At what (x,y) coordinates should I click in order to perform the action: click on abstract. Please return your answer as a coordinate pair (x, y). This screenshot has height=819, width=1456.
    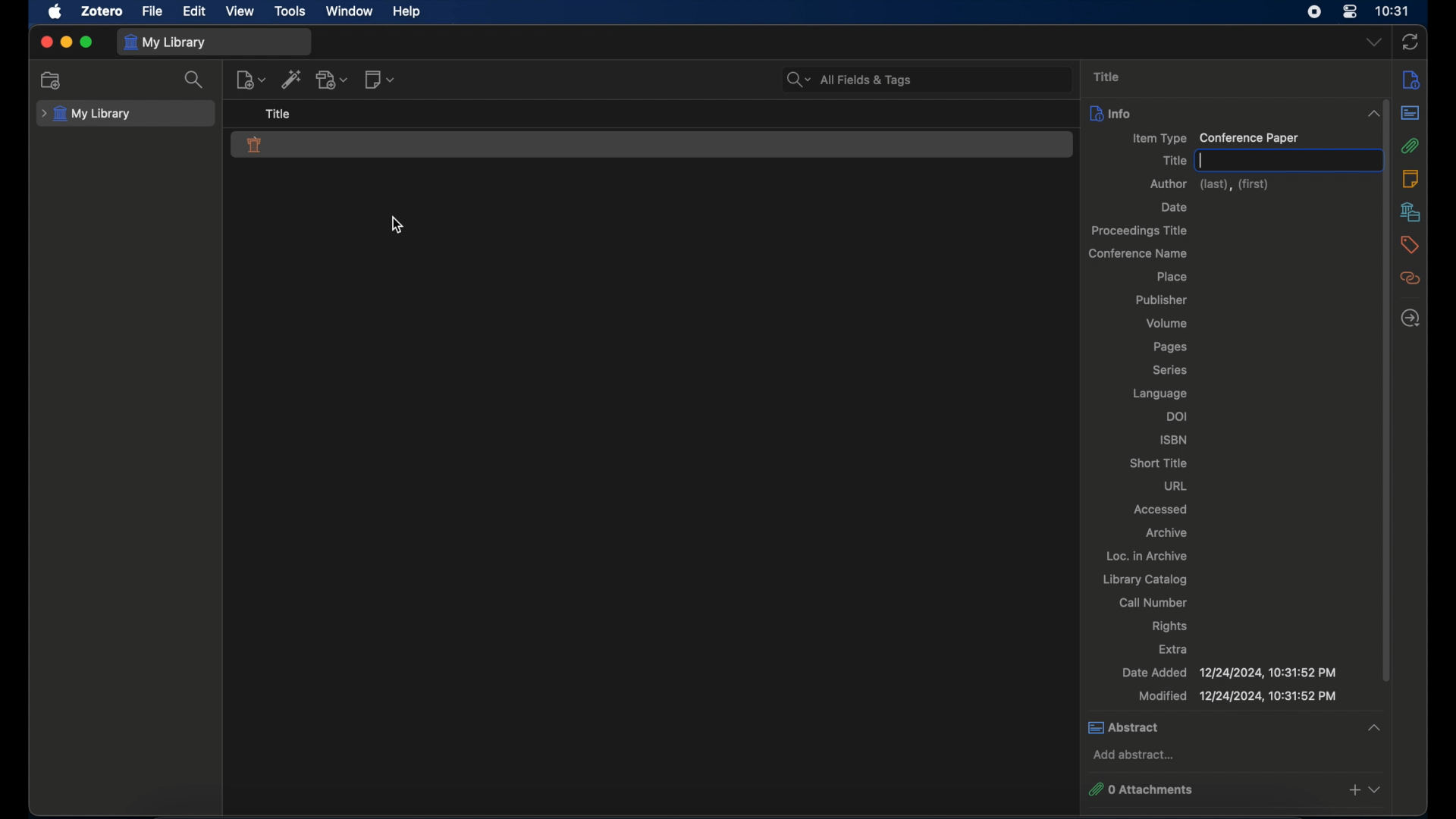
    Looking at the image, I should click on (1410, 113).